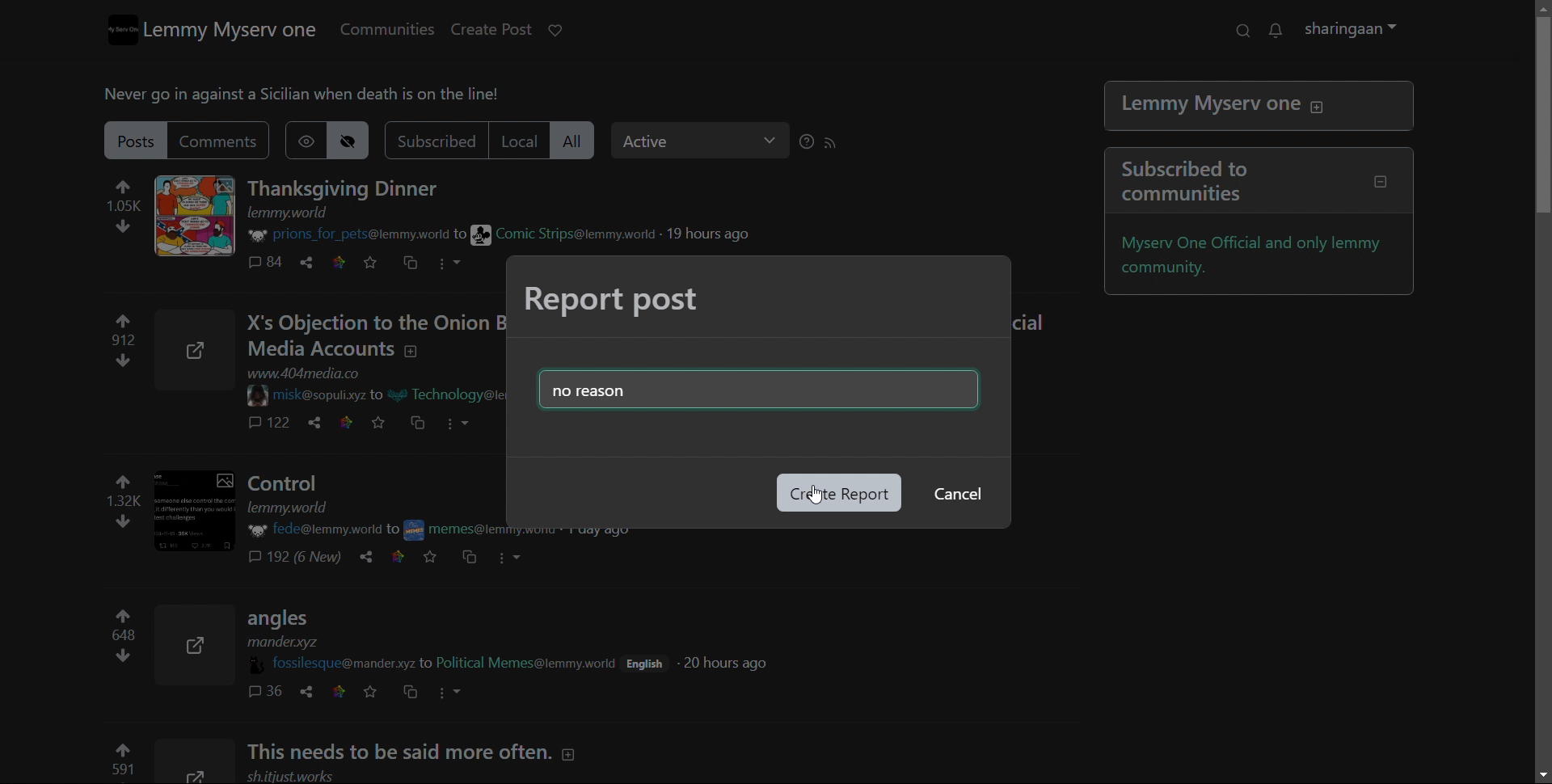 This screenshot has height=784, width=1552. What do you see at coordinates (470, 558) in the screenshot?
I see `Cross post` at bounding box center [470, 558].